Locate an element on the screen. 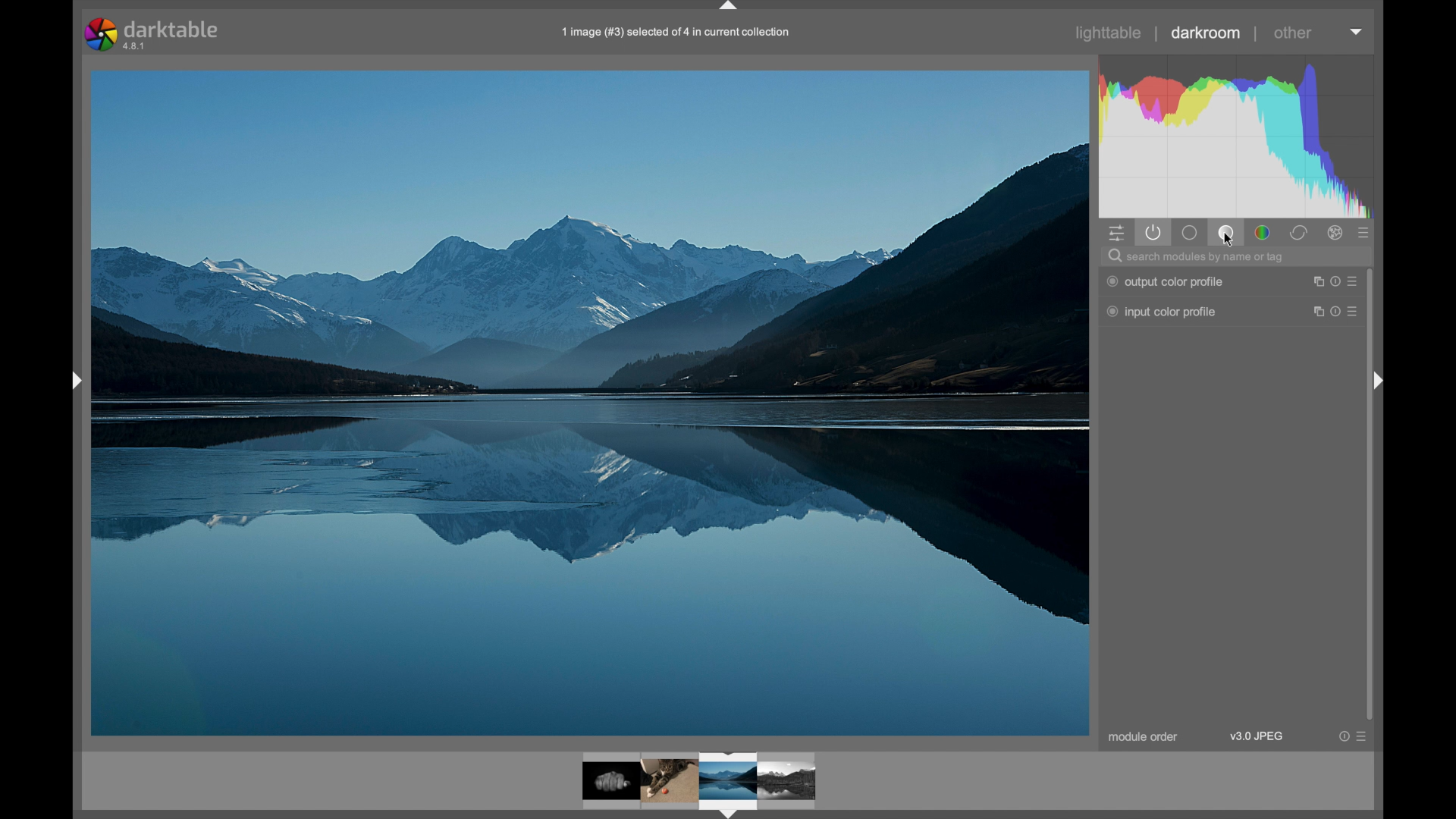  more  options is located at coordinates (1335, 281).